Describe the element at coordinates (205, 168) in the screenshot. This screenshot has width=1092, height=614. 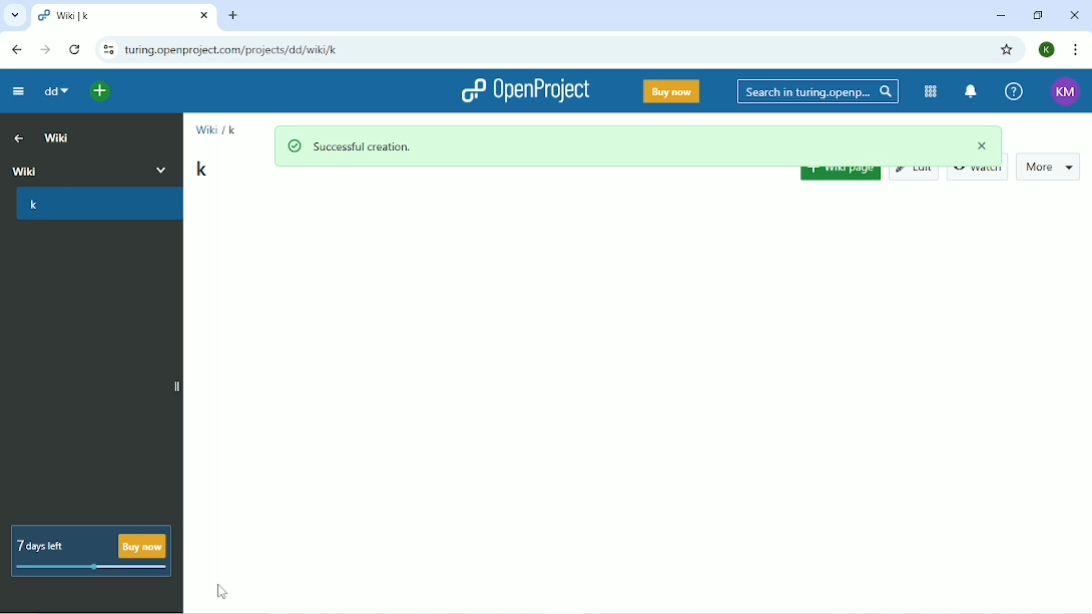
I see `k` at that location.